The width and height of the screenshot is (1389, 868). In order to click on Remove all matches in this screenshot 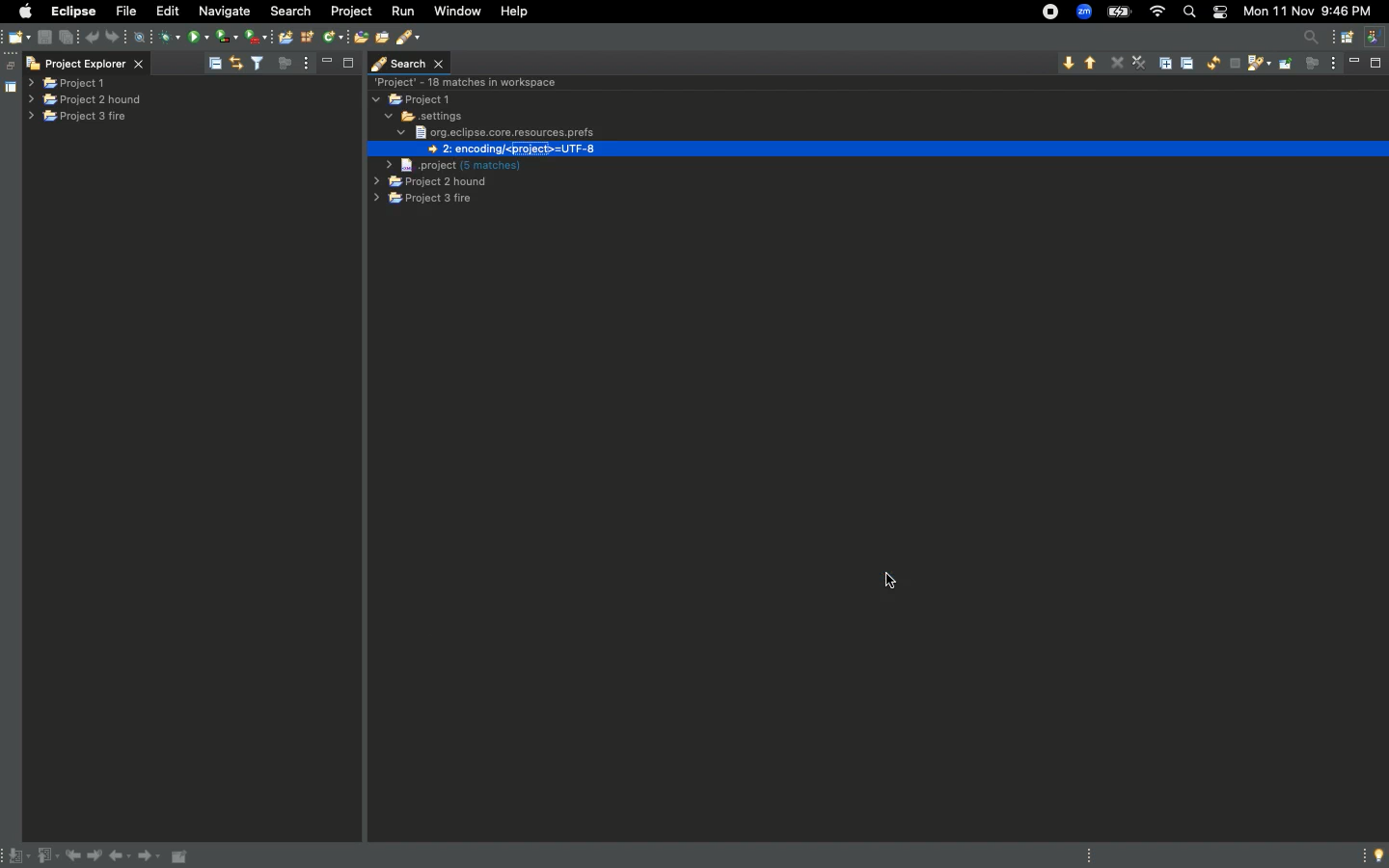, I will do `click(1139, 64)`.